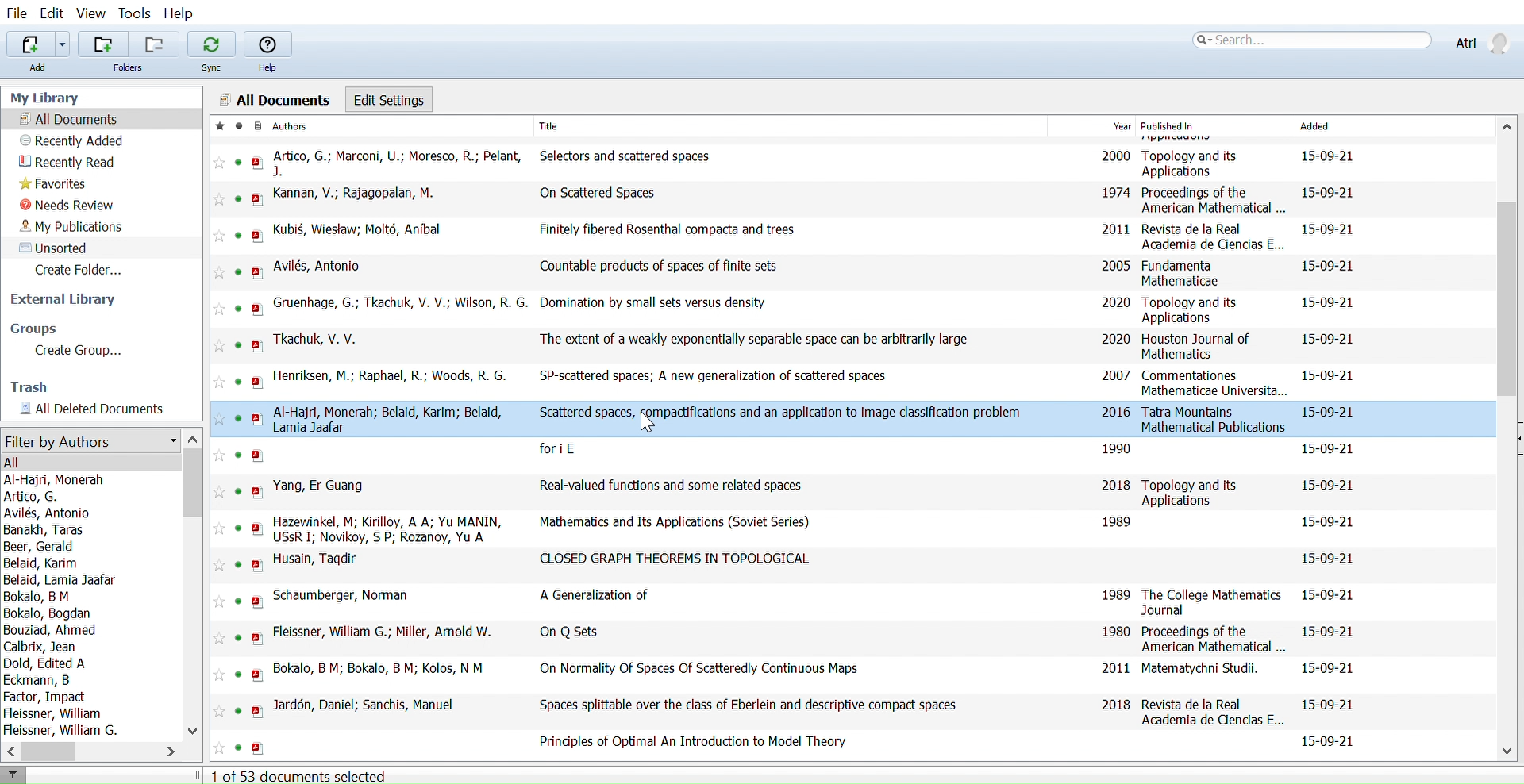 This screenshot has height=784, width=1524. Describe the element at coordinates (633, 155) in the screenshot. I see `Selectors and scattered spaces` at that location.